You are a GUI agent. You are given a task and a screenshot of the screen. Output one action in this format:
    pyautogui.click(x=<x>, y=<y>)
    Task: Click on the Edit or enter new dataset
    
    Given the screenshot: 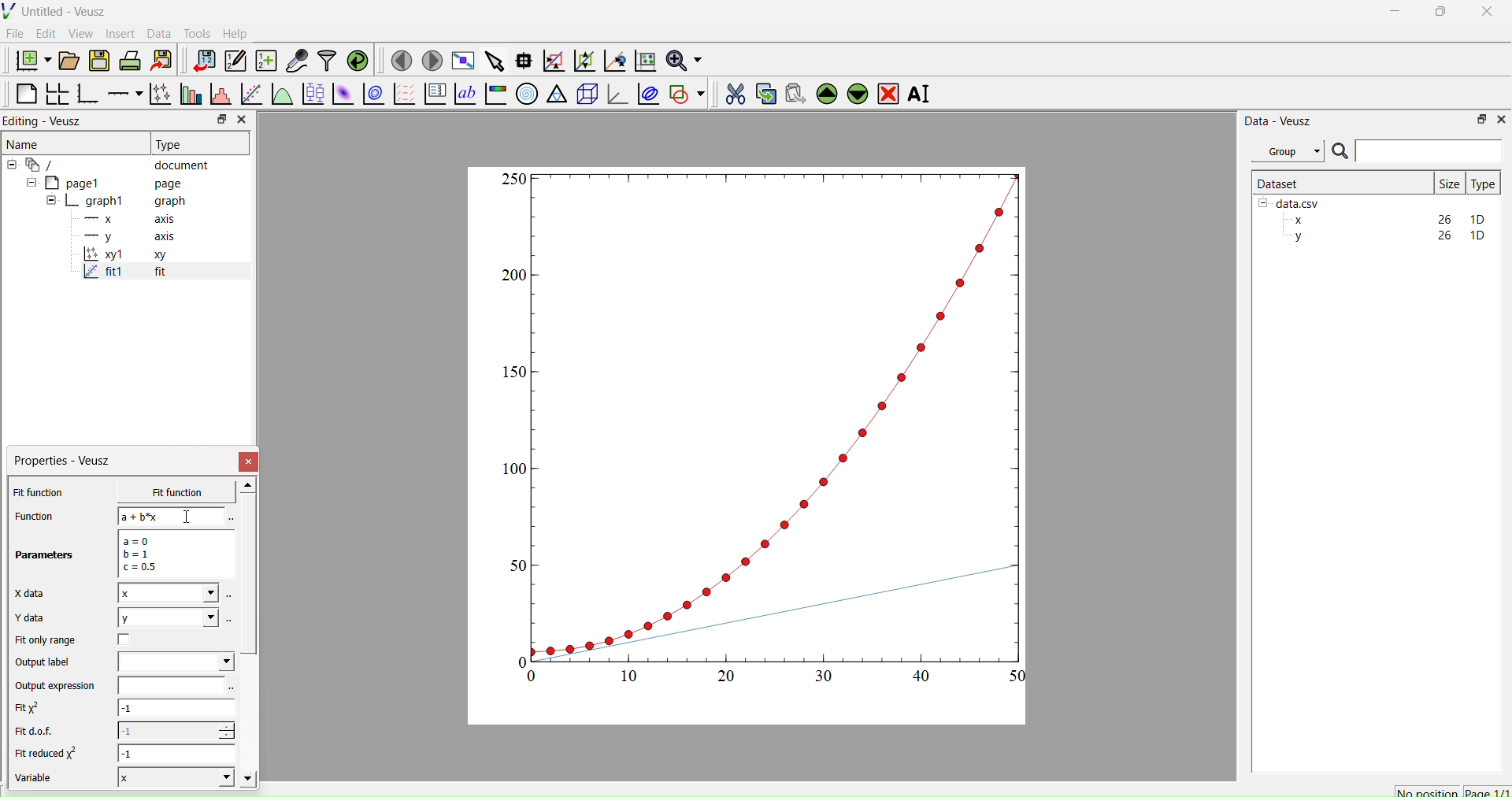 What is the action you would take?
    pyautogui.click(x=233, y=61)
    